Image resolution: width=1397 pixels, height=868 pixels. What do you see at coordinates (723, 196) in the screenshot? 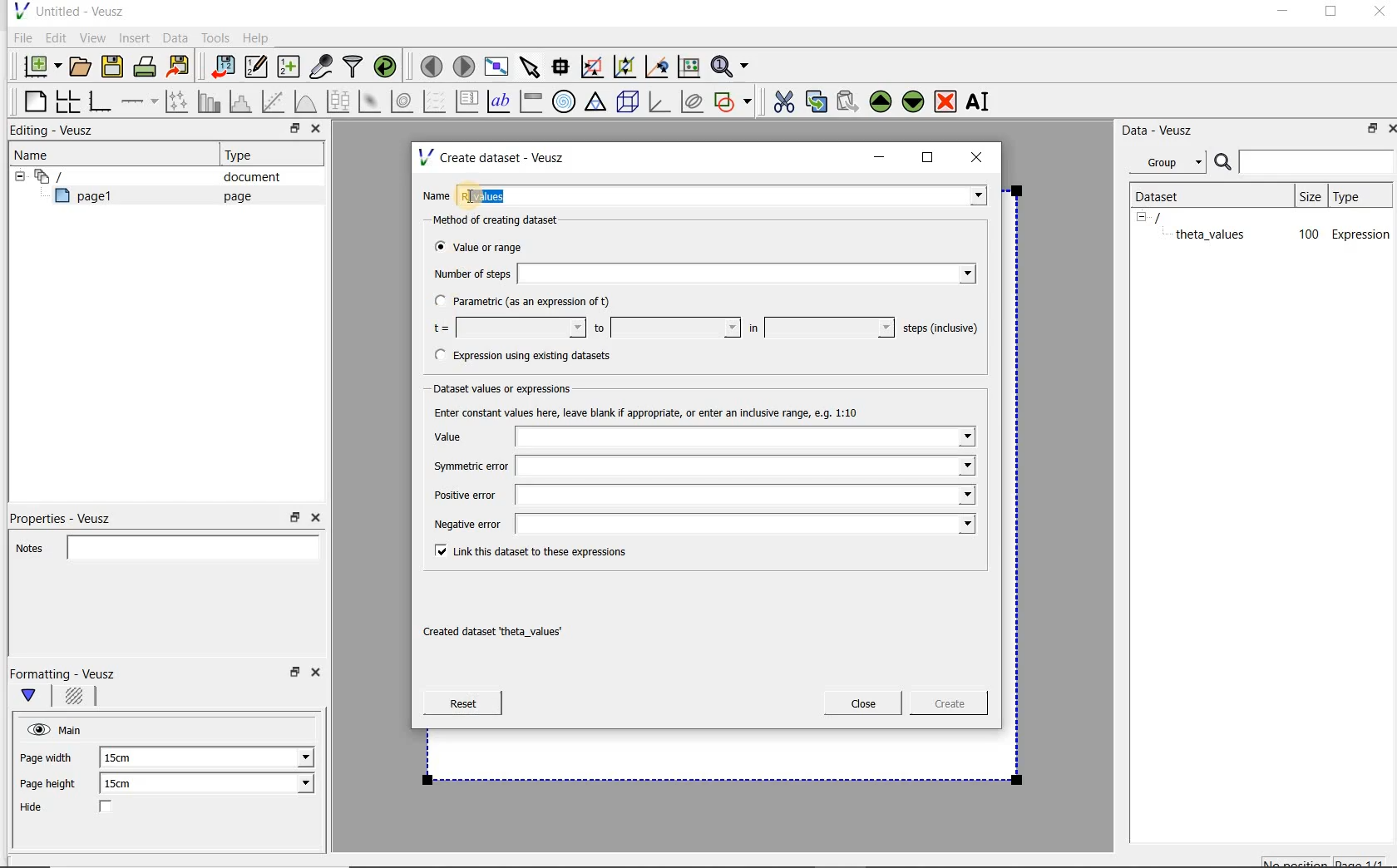
I see `r_values` at bounding box center [723, 196].